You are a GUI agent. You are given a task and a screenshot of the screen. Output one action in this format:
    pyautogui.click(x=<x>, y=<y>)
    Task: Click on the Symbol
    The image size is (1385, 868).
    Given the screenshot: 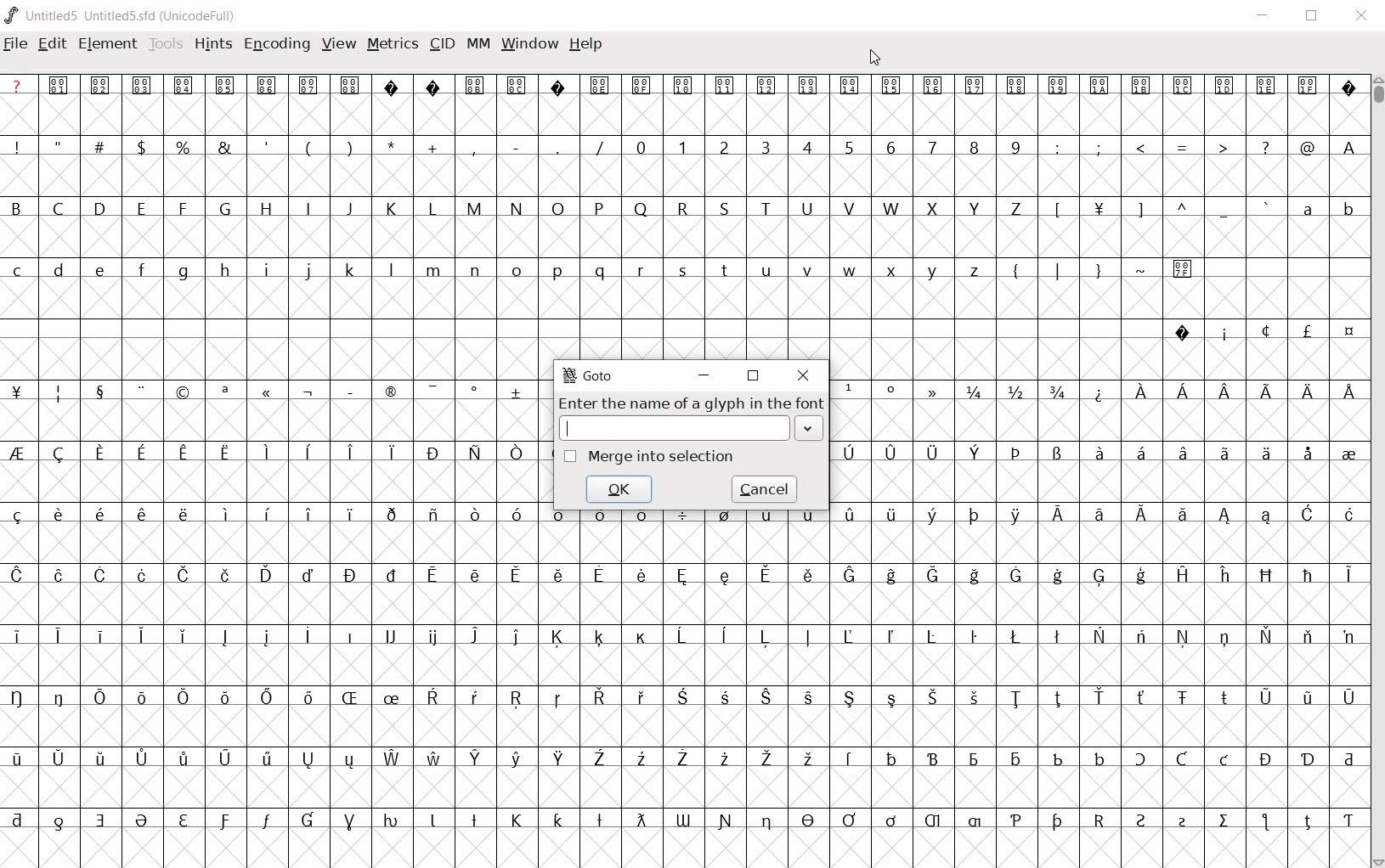 What is the action you would take?
    pyautogui.click(x=307, y=821)
    